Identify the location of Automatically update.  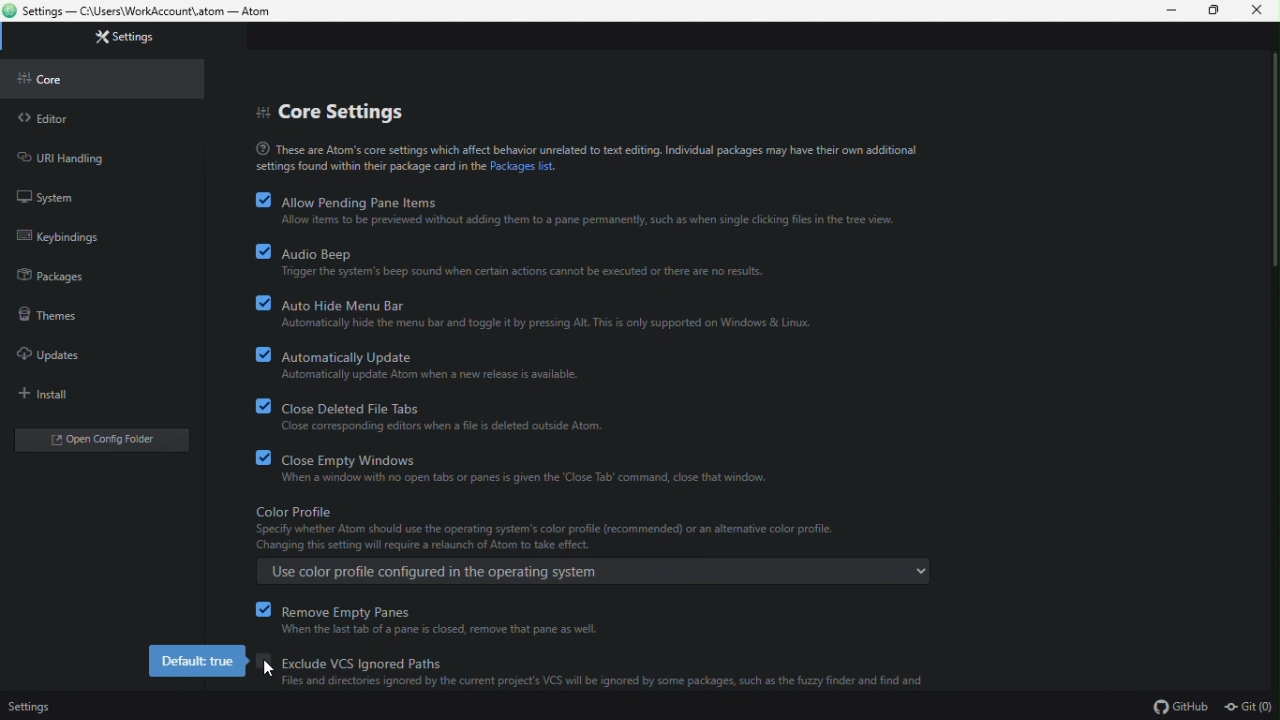
(597, 364).